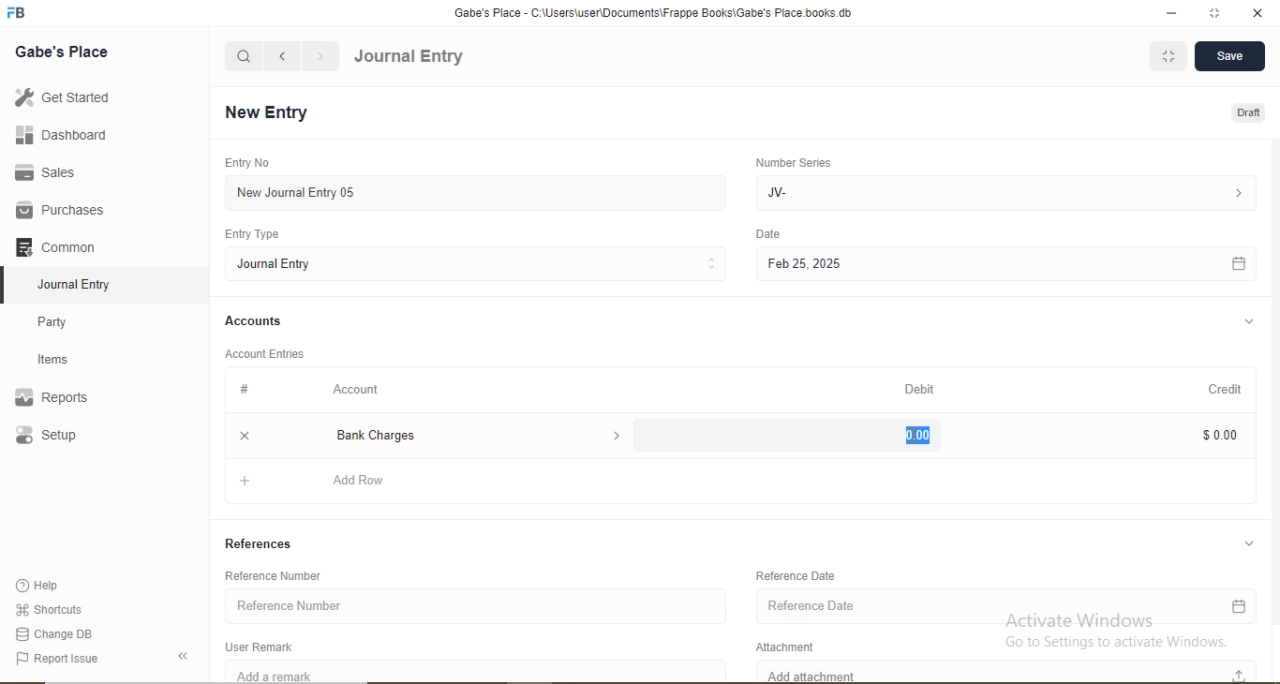  I want to click on Account Entries, so click(263, 352).